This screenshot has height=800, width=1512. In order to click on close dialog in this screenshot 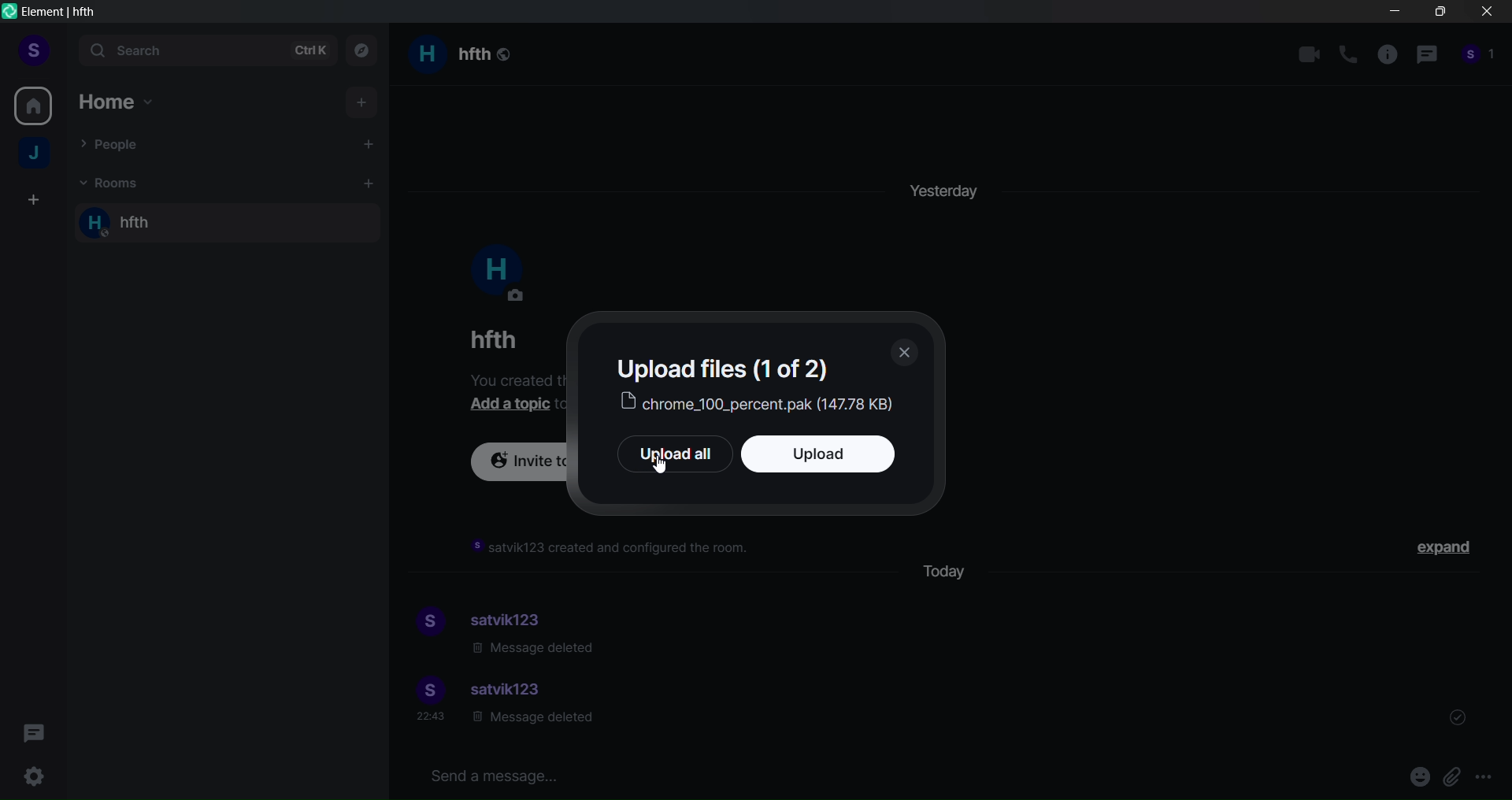, I will do `click(907, 352)`.